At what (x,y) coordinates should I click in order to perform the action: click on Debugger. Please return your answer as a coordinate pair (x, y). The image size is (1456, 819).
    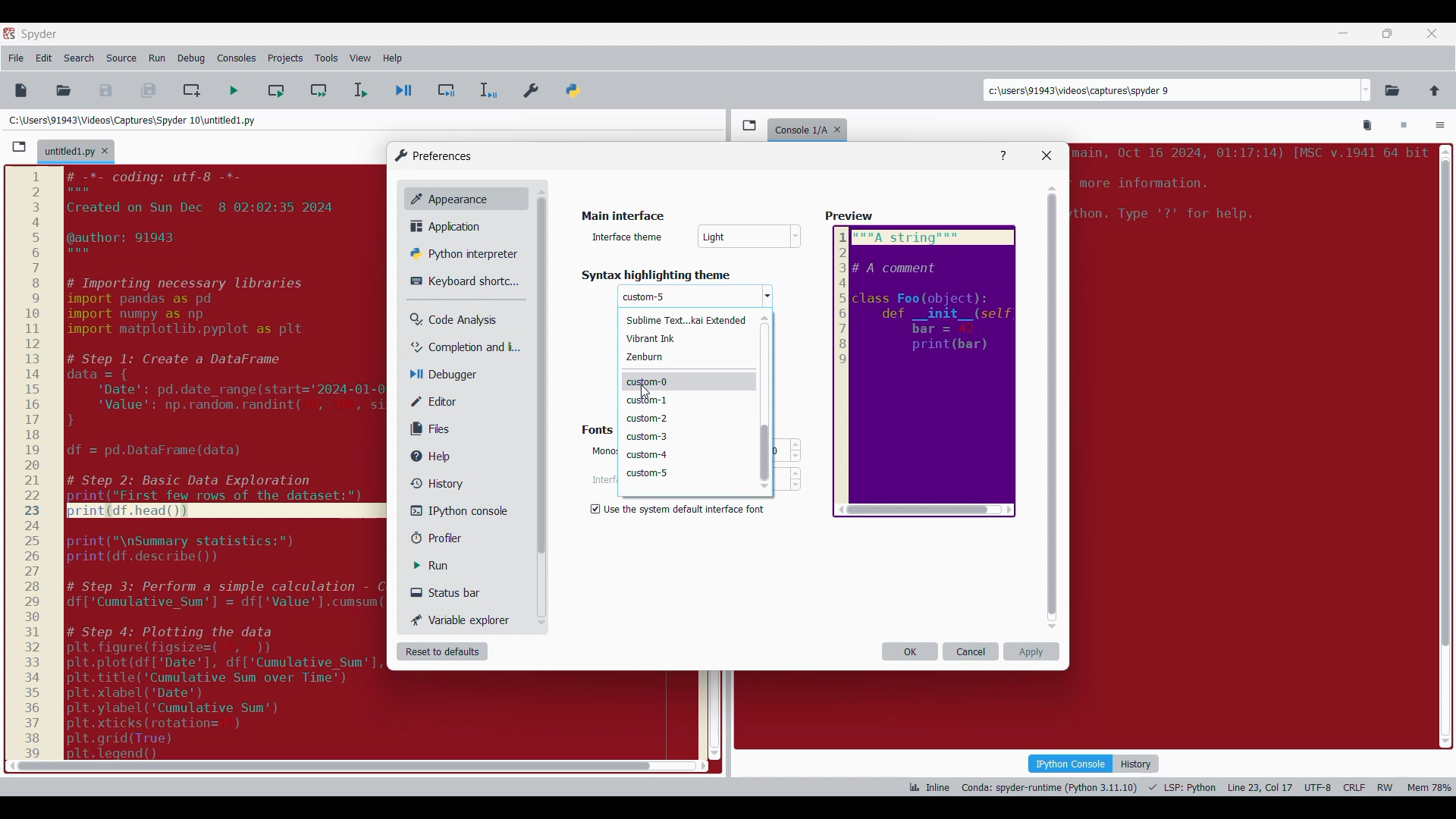
    Looking at the image, I should click on (450, 375).